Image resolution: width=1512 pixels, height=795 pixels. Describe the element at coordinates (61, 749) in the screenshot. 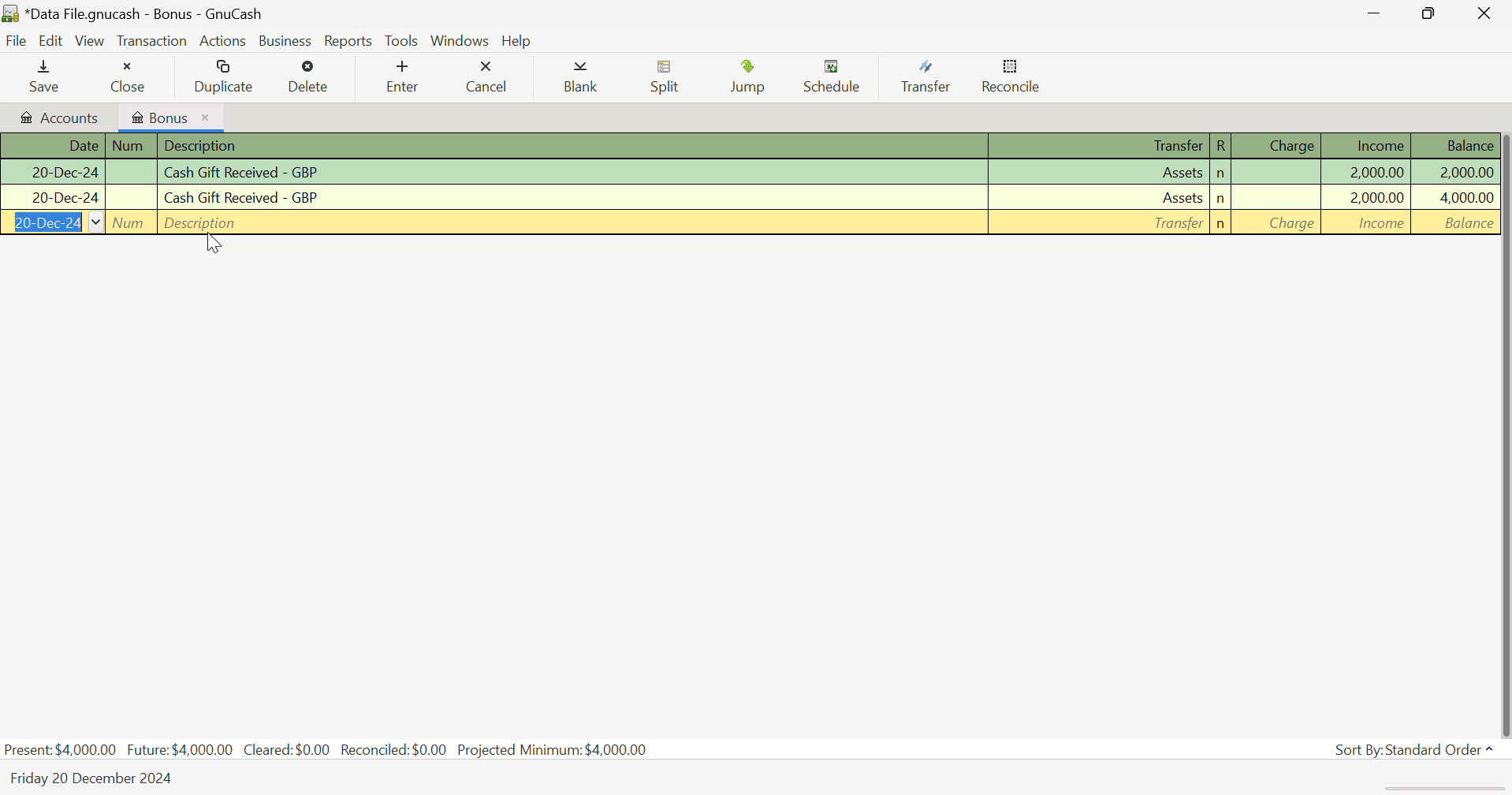

I see `Present` at that location.